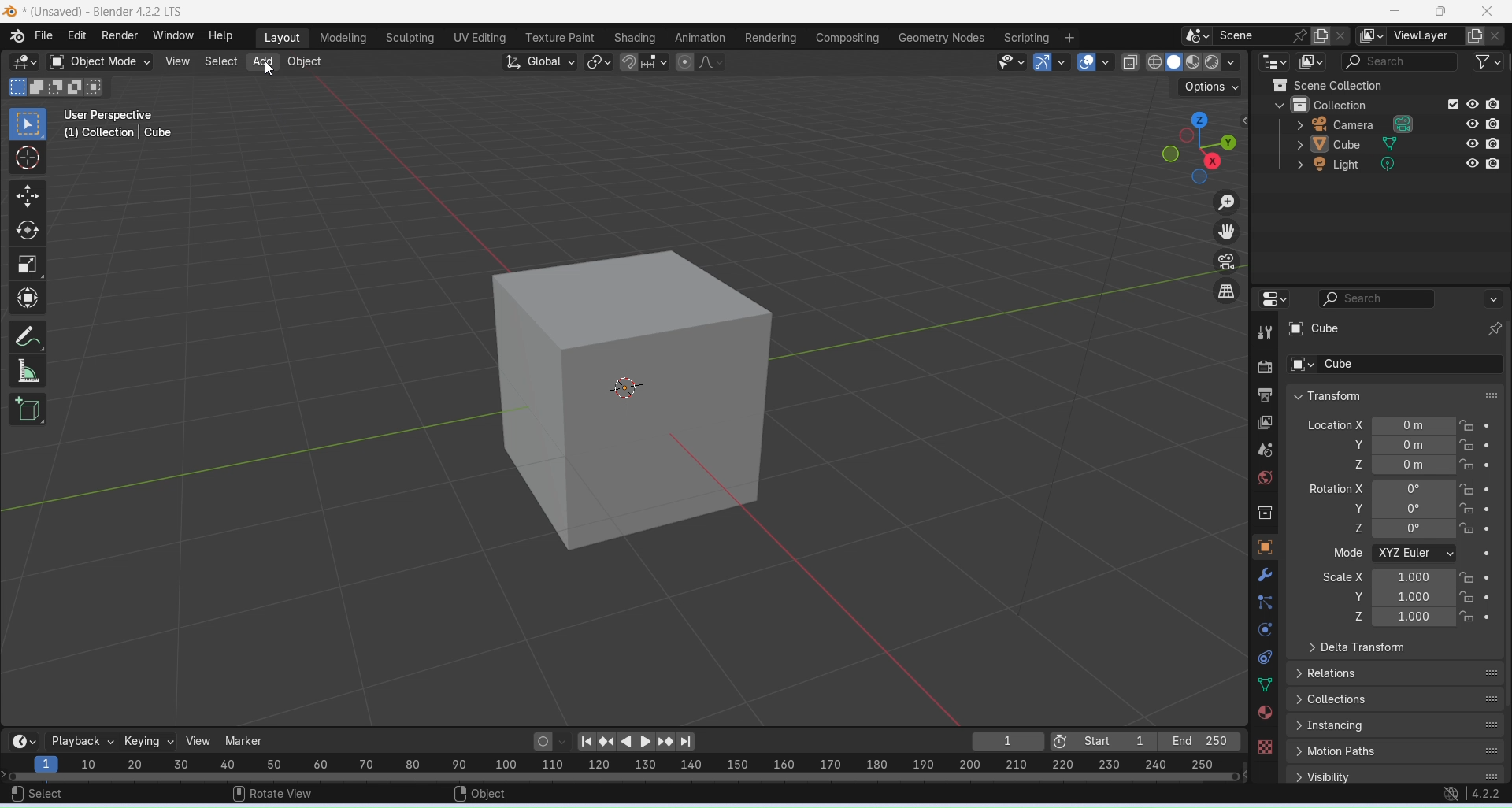  Describe the element at coordinates (120, 35) in the screenshot. I see `Render` at that location.